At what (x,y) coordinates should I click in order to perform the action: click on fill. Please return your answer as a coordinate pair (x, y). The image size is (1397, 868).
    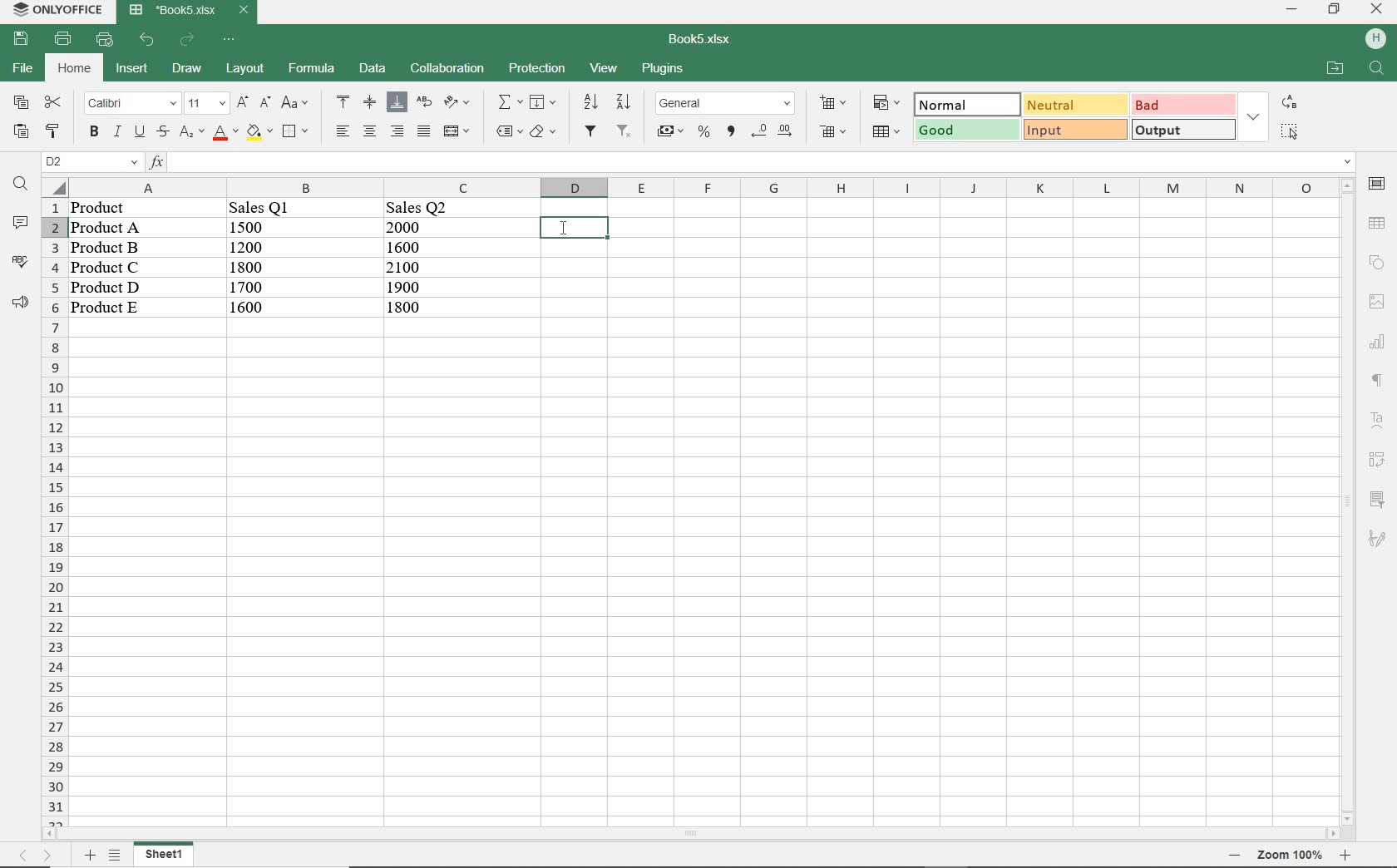
    Looking at the image, I should click on (541, 102).